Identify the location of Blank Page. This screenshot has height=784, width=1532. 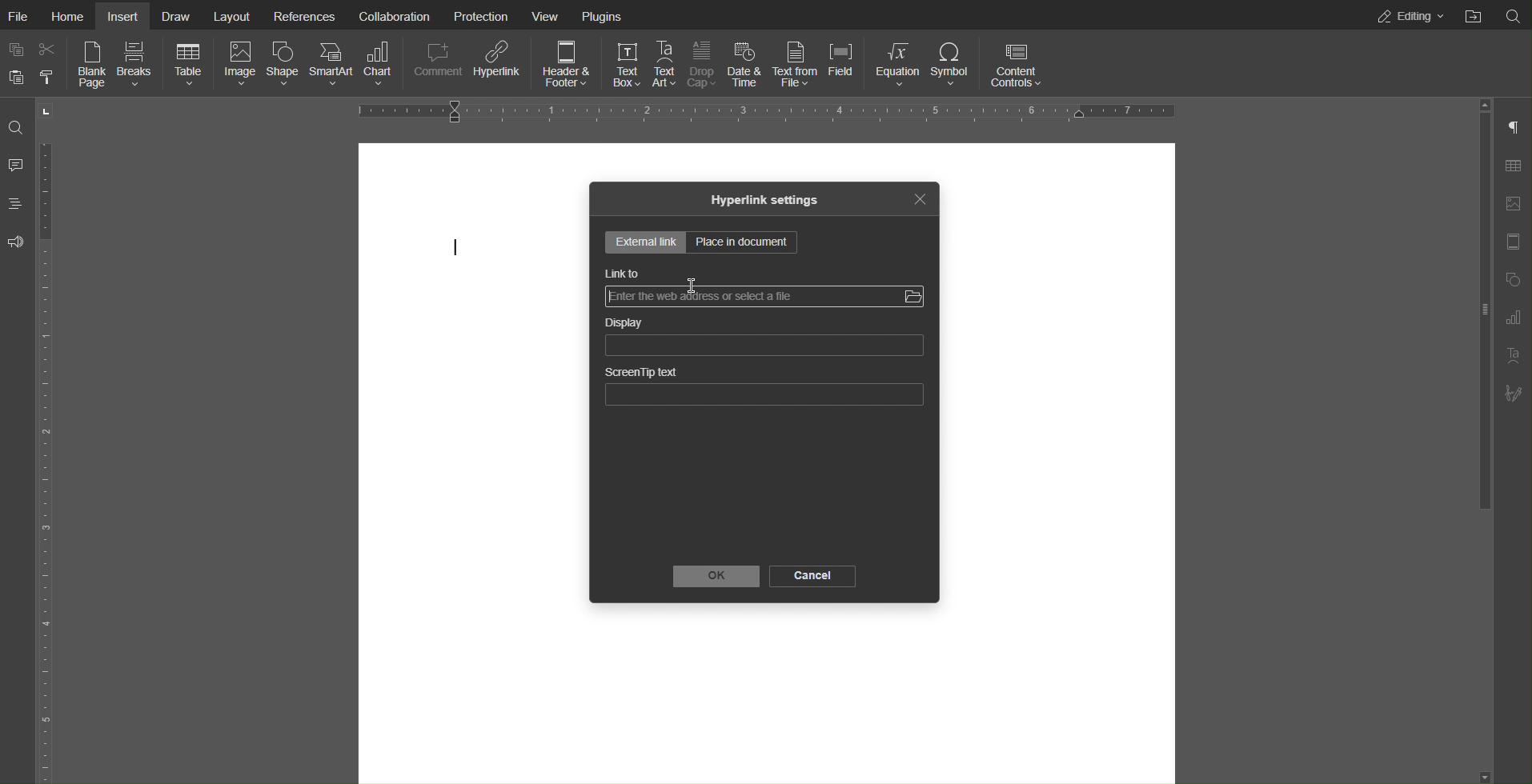
(92, 66).